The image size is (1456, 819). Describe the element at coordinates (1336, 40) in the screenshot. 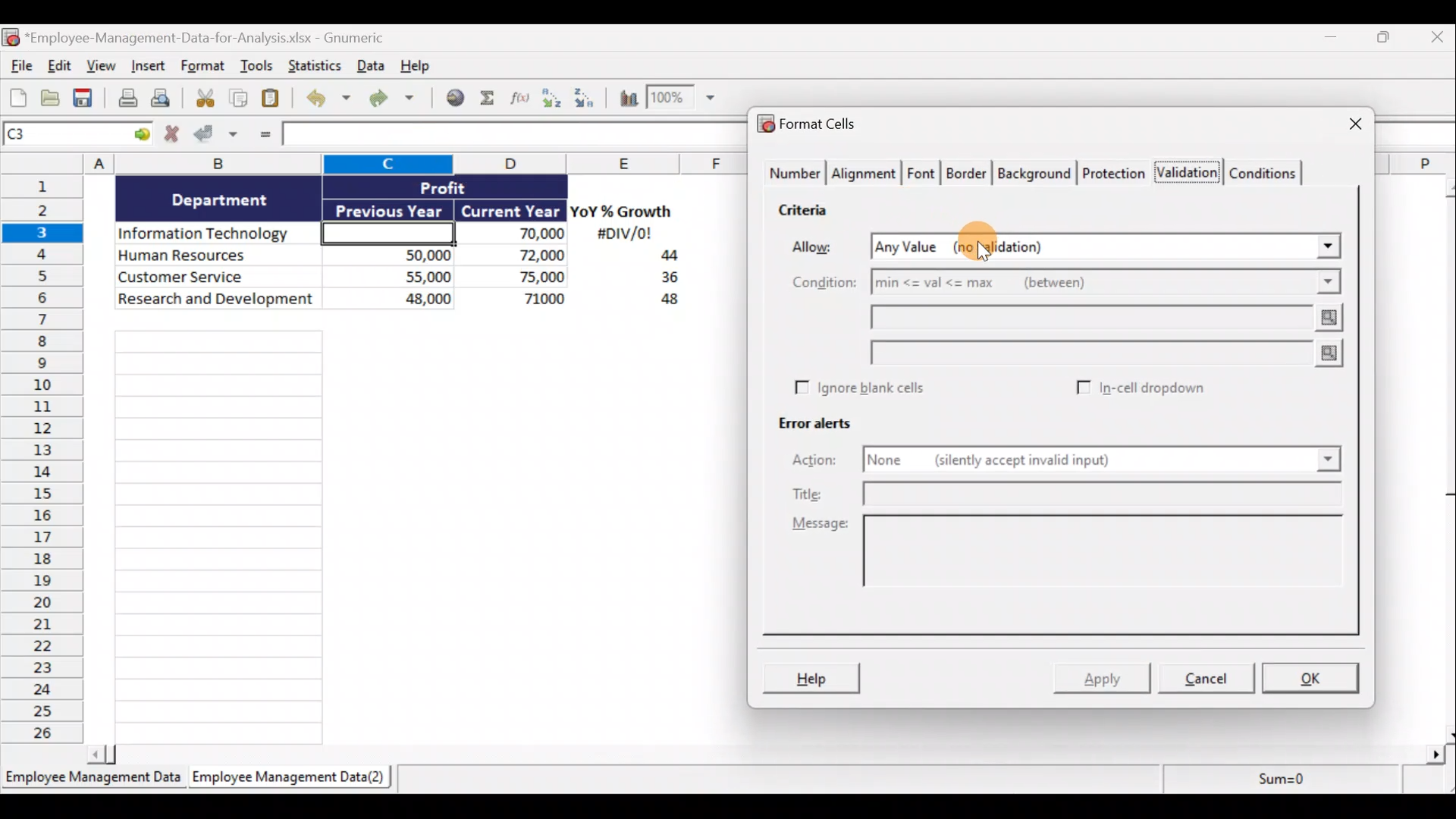

I see `Minimize` at that location.